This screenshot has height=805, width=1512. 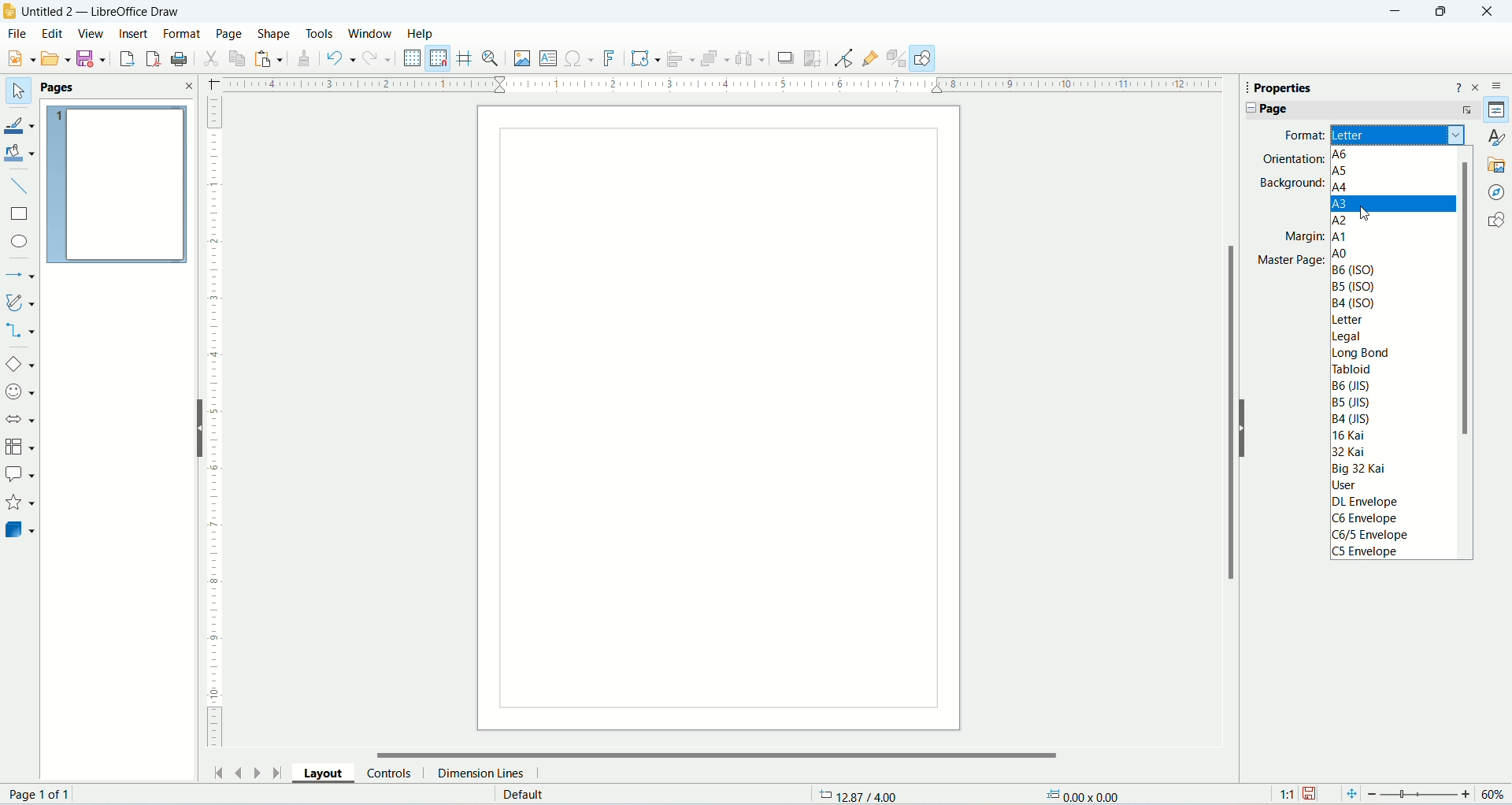 I want to click on fill color, so click(x=20, y=152).